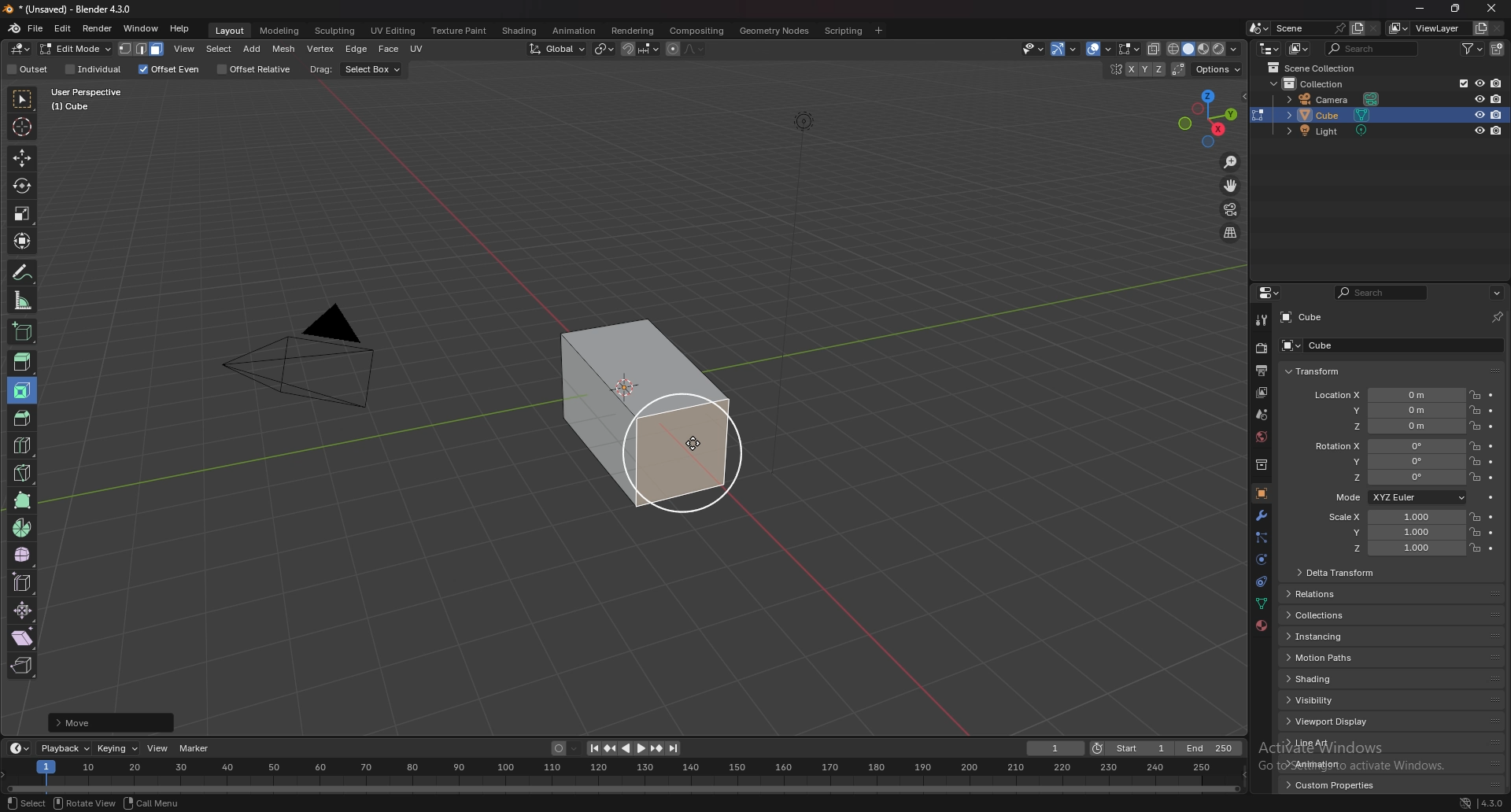  I want to click on exclude from view layer, so click(1459, 83).